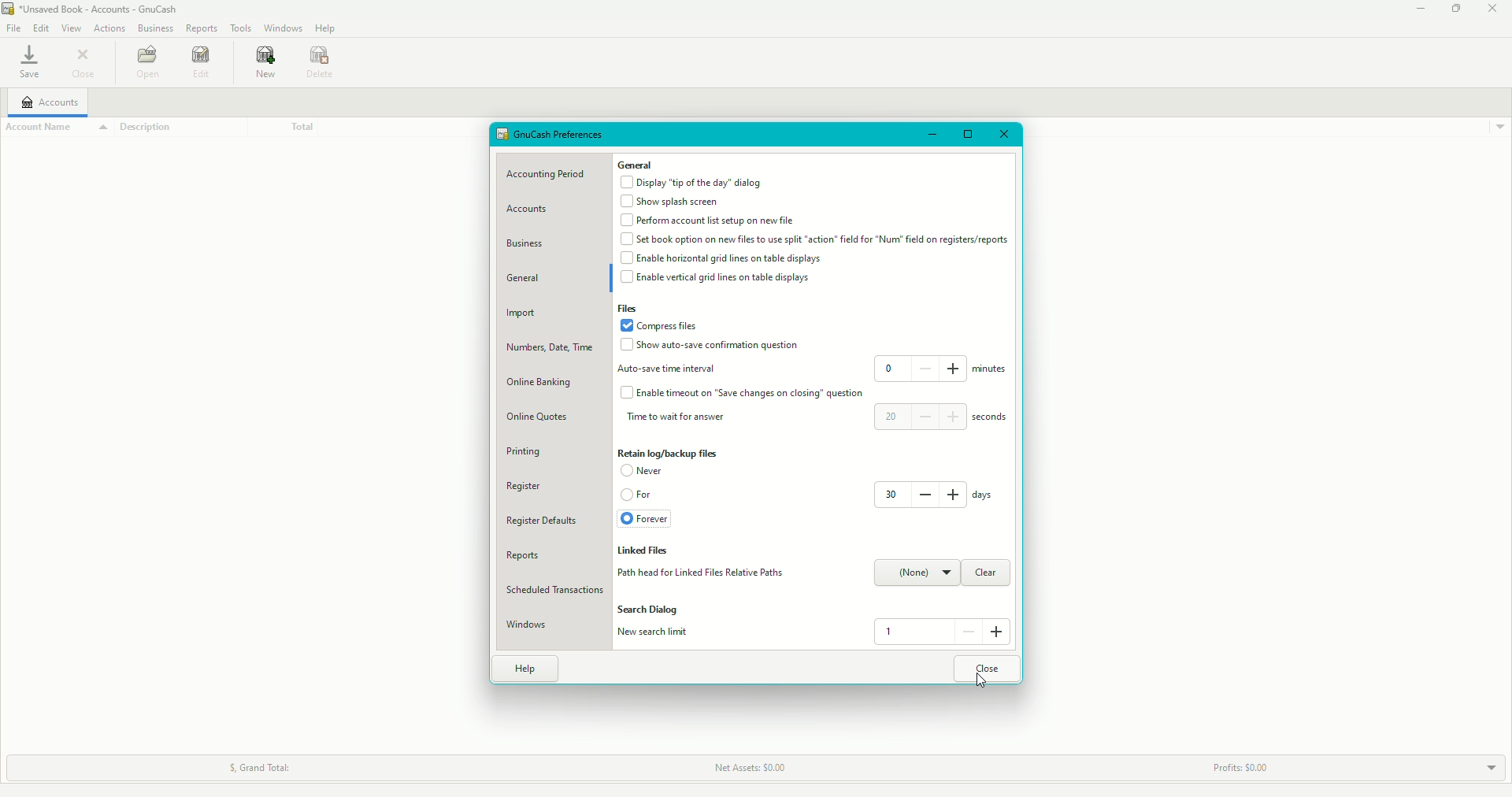  Describe the element at coordinates (708, 221) in the screenshot. I see `Perform account list setup` at that location.